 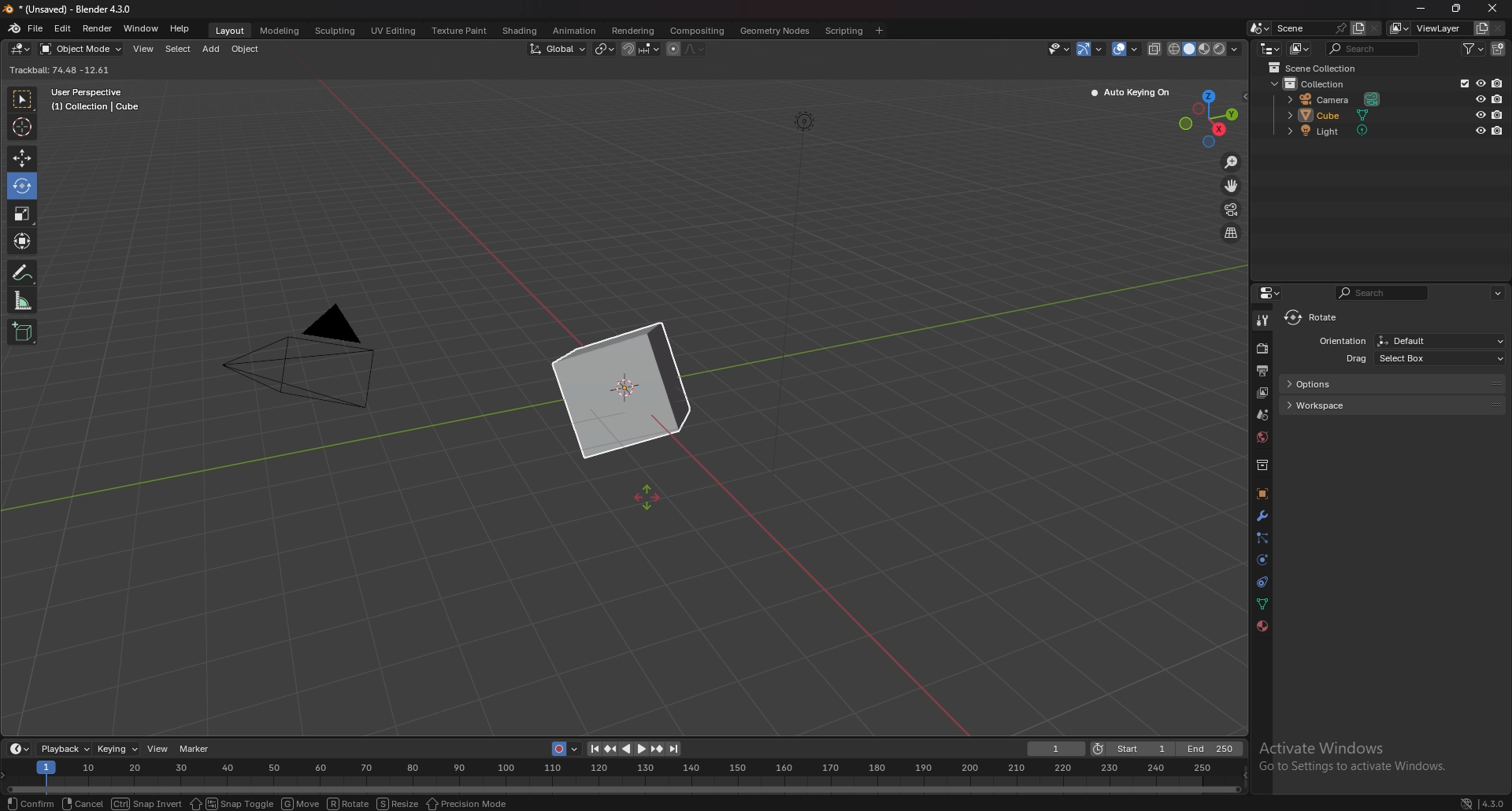 What do you see at coordinates (613, 747) in the screenshot?
I see `jump to keyframe` at bounding box center [613, 747].